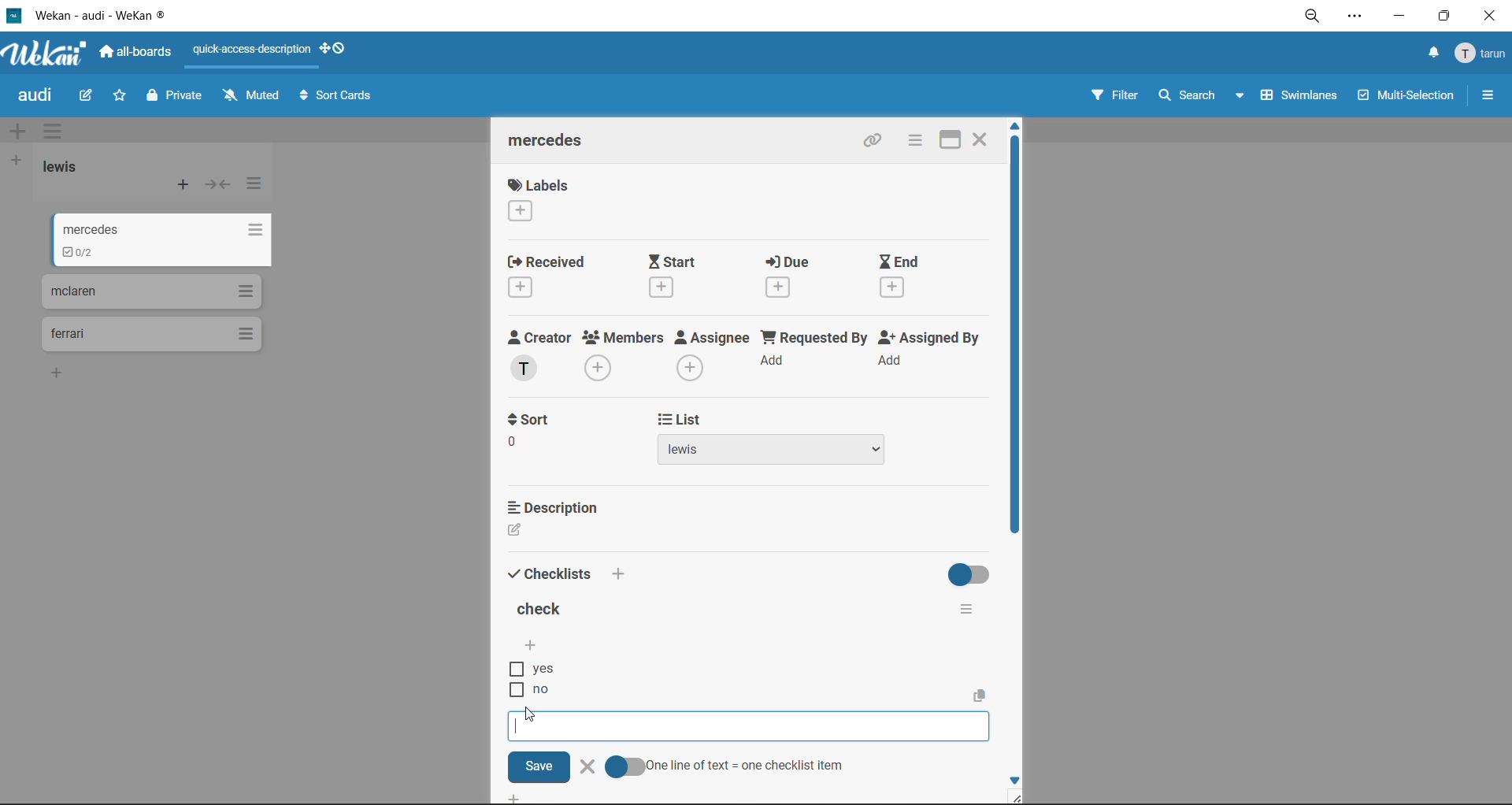 The height and width of the screenshot is (805, 1512). Describe the element at coordinates (243, 290) in the screenshot. I see `list actions` at that location.